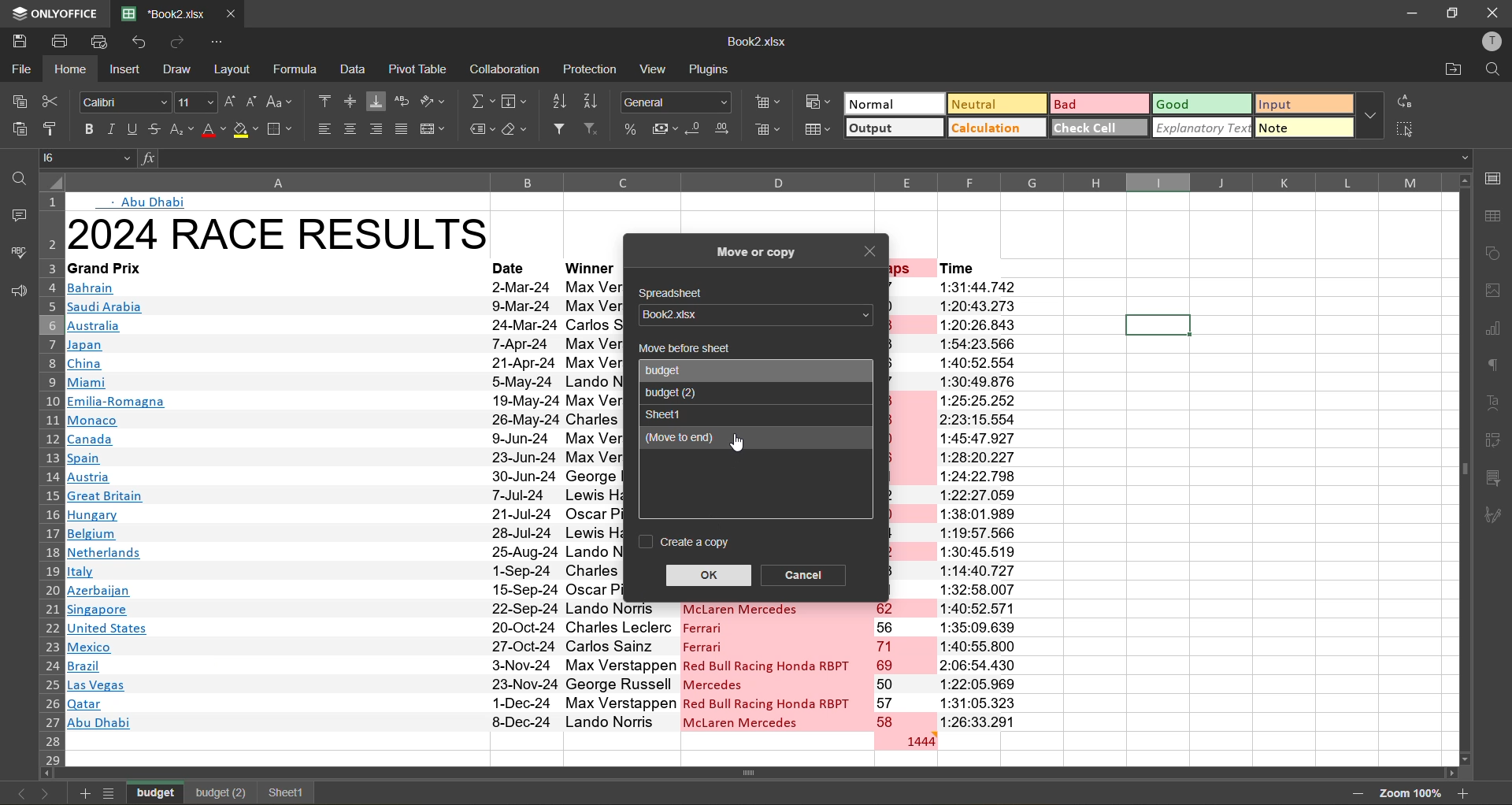  What do you see at coordinates (1496, 438) in the screenshot?
I see `pivot table` at bounding box center [1496, 438].